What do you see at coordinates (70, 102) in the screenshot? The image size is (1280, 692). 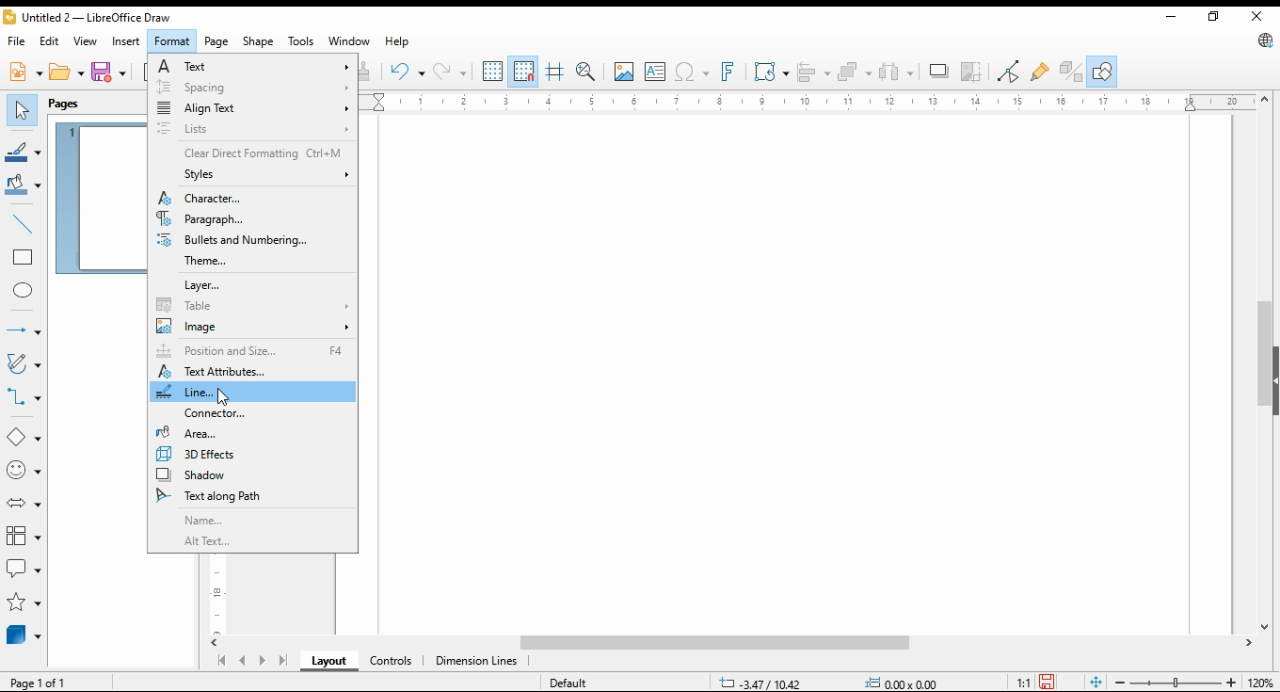 I see `pages` at bounding box center [70, 102].